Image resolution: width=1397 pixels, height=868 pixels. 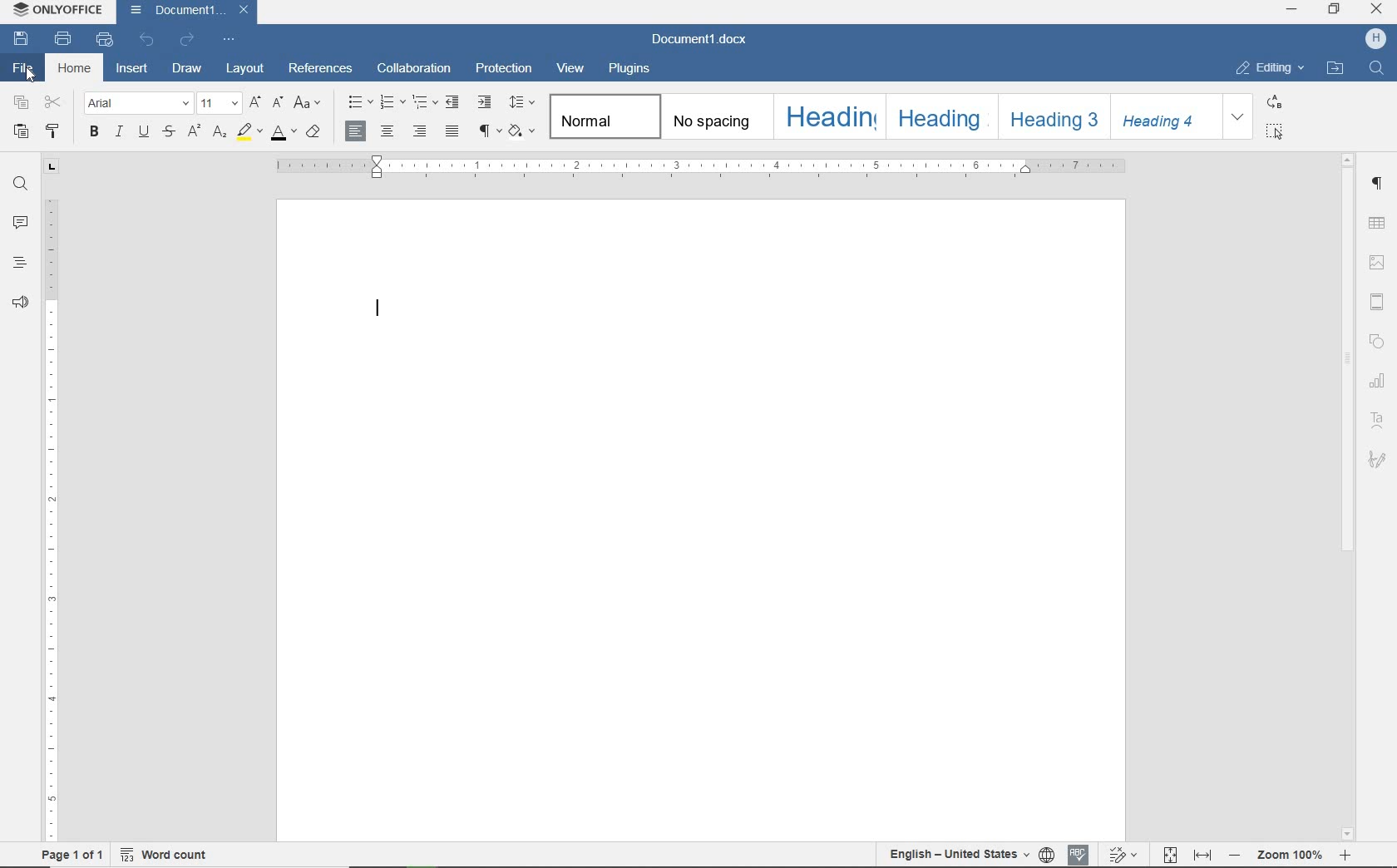 What do you see at coordinates (226, 39) in the screenshot?
I see `customize quick access toolbar` at bounding box center [226, 39].